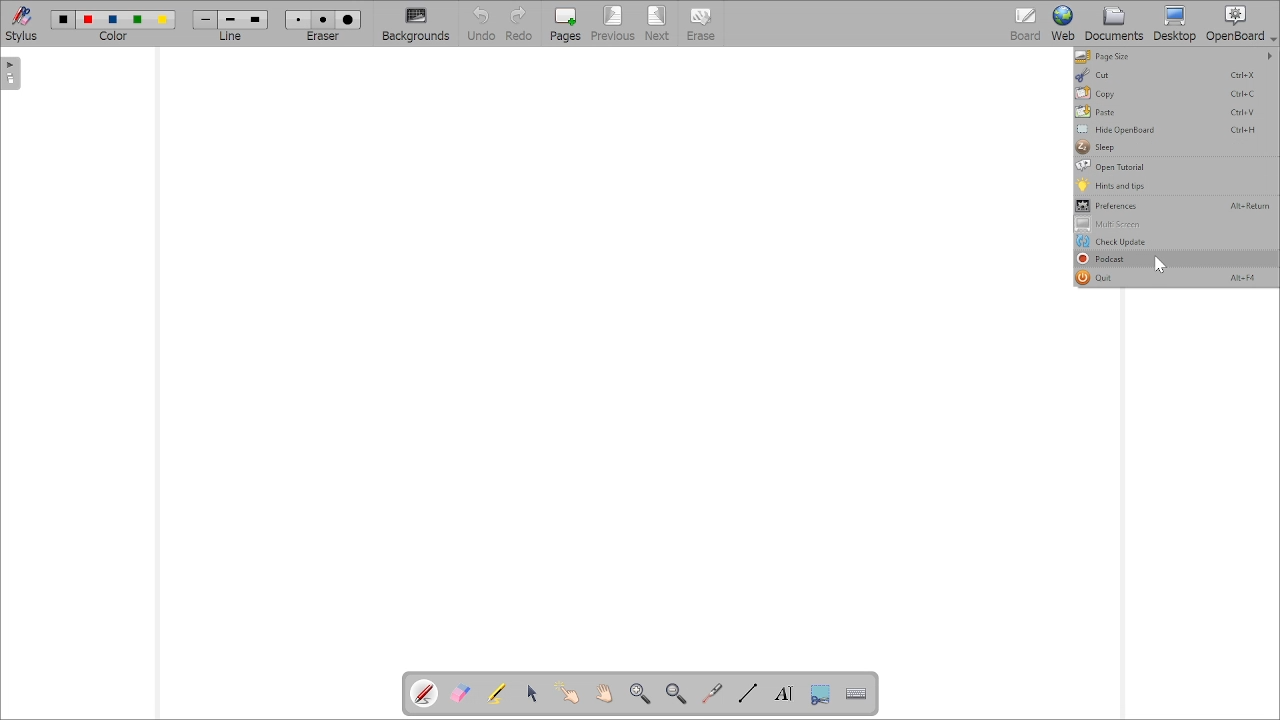 This screenshot has height=720, width=1280. Describe the element at coordinates (531, 694) in the screenshot. I see `Select and modify objects` at that location.